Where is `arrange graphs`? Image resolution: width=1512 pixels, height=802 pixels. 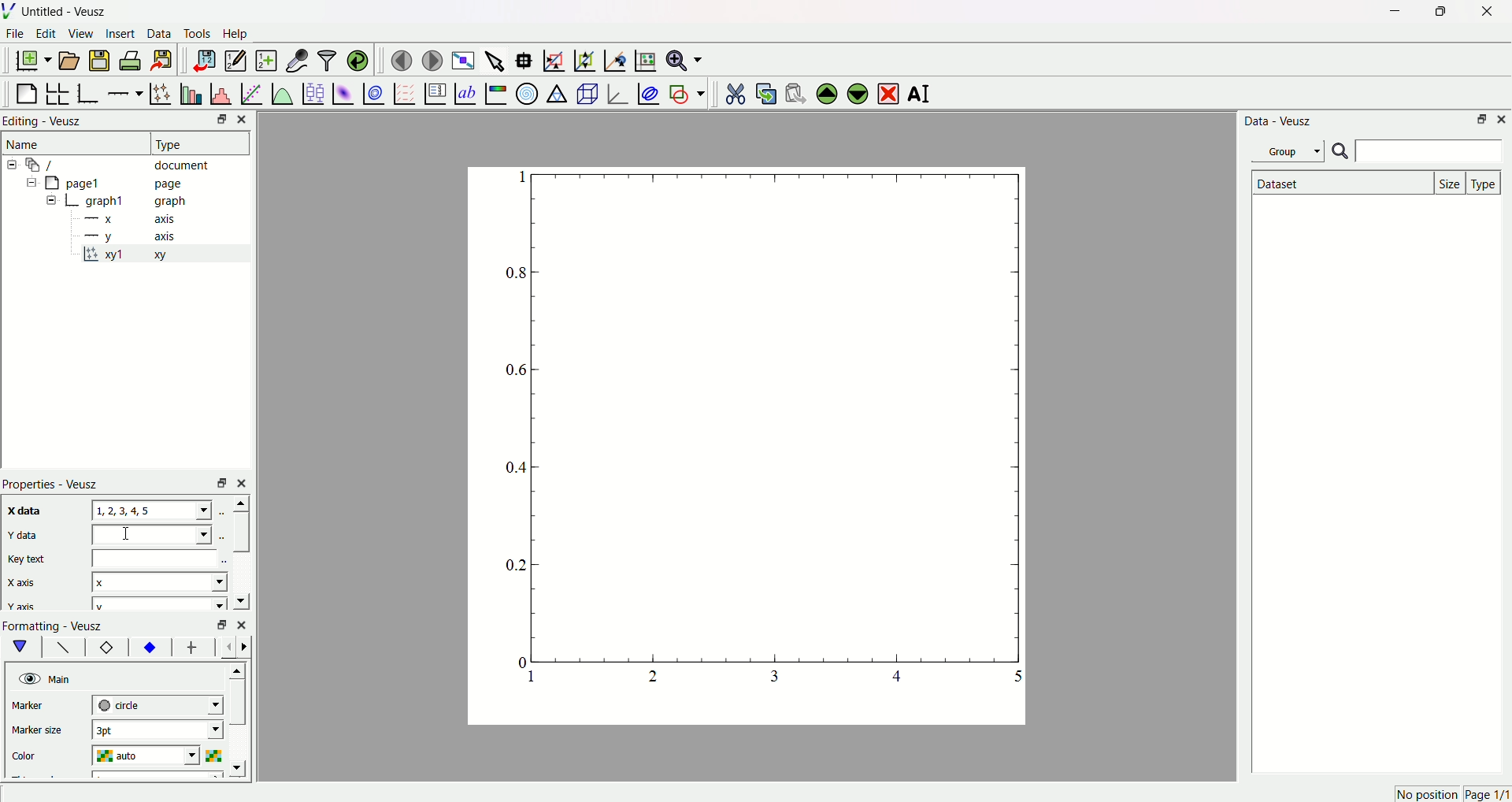
arrange graphs is located at coordinates (60, 91).